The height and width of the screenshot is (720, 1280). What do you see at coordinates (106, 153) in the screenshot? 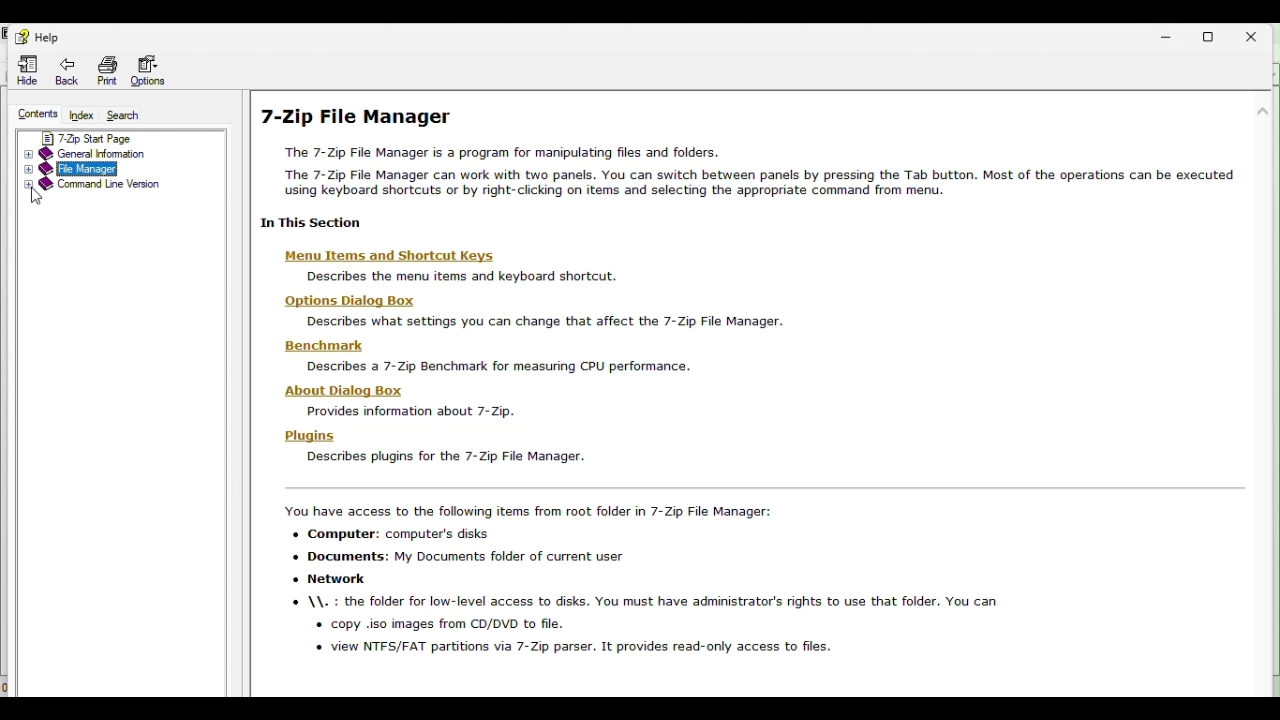
I see `General information` at bounding box center [106, 153].